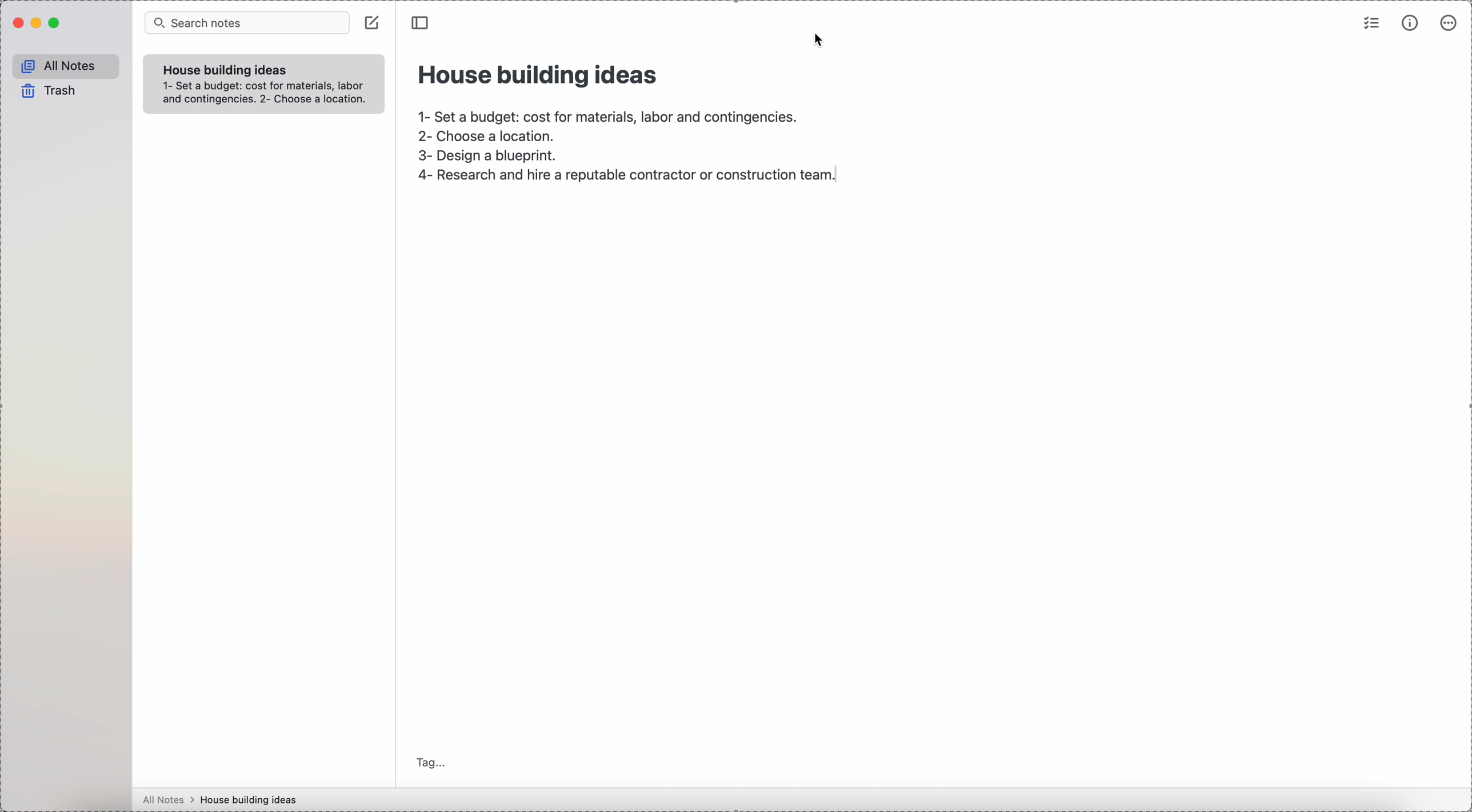 The image size is (1472, 812). I want to click on create note, so click(374, 26).